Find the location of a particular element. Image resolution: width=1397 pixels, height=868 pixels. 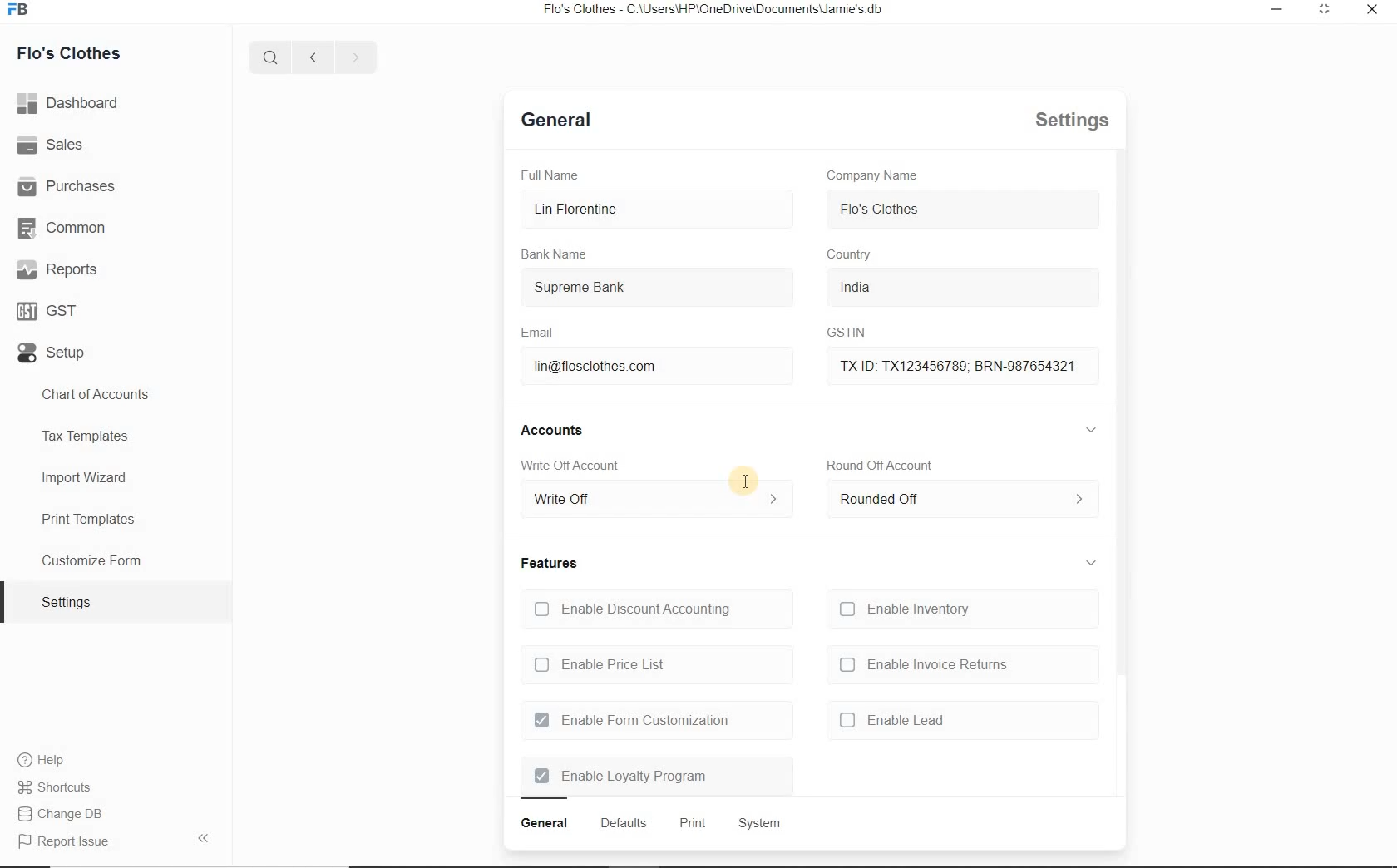

Cursor is located at coordinates (739, 480).